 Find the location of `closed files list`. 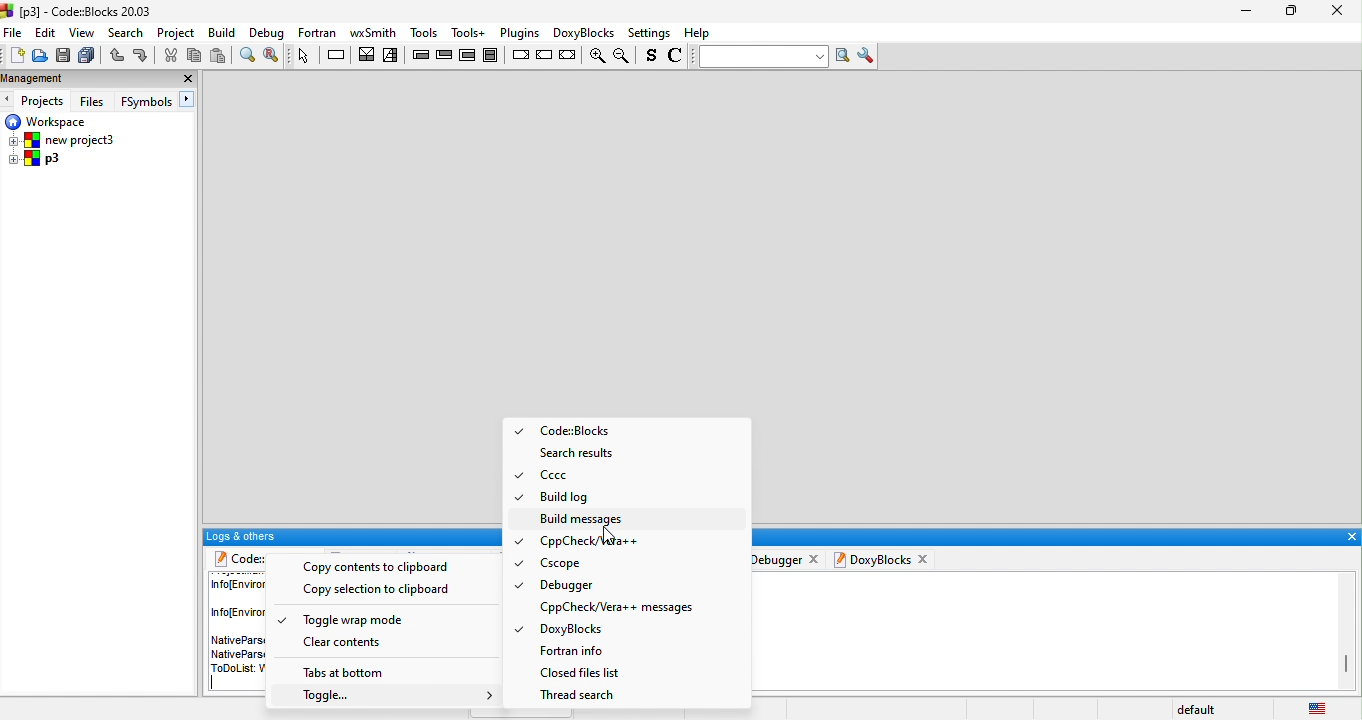

closed files list is located at coordinates (598, 672).